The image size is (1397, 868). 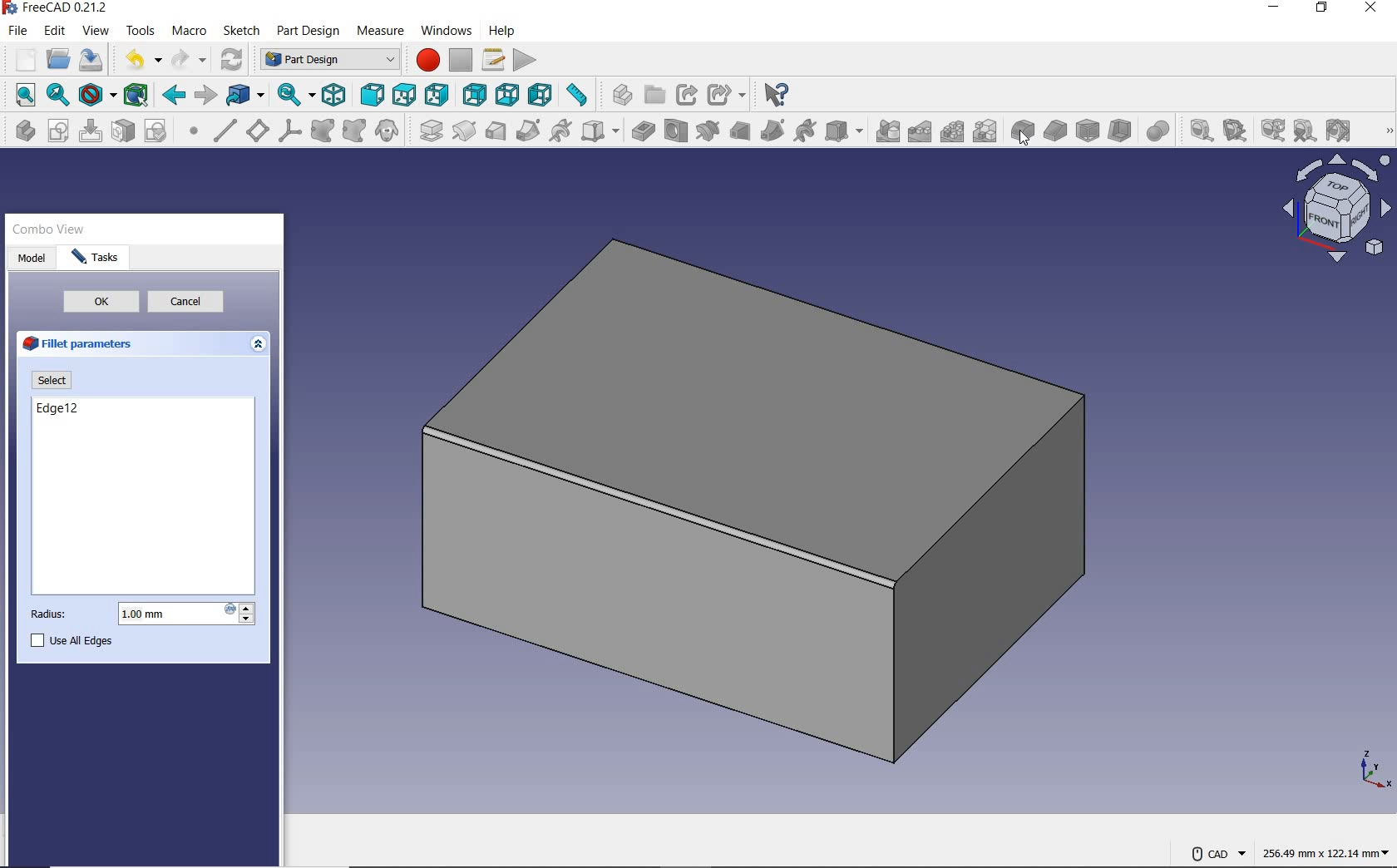 I want to click on CAD, so click(x=1217, y=854).